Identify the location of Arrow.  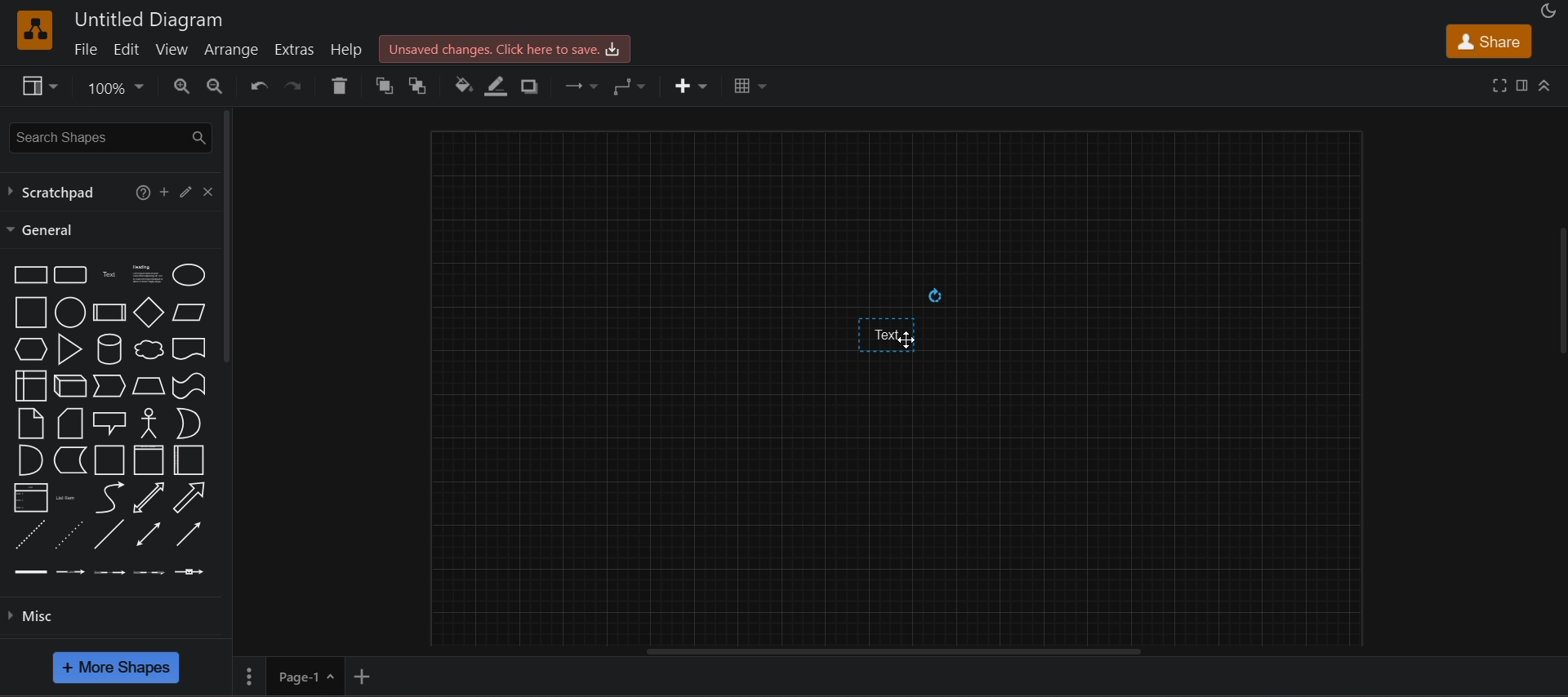
(189, 498).